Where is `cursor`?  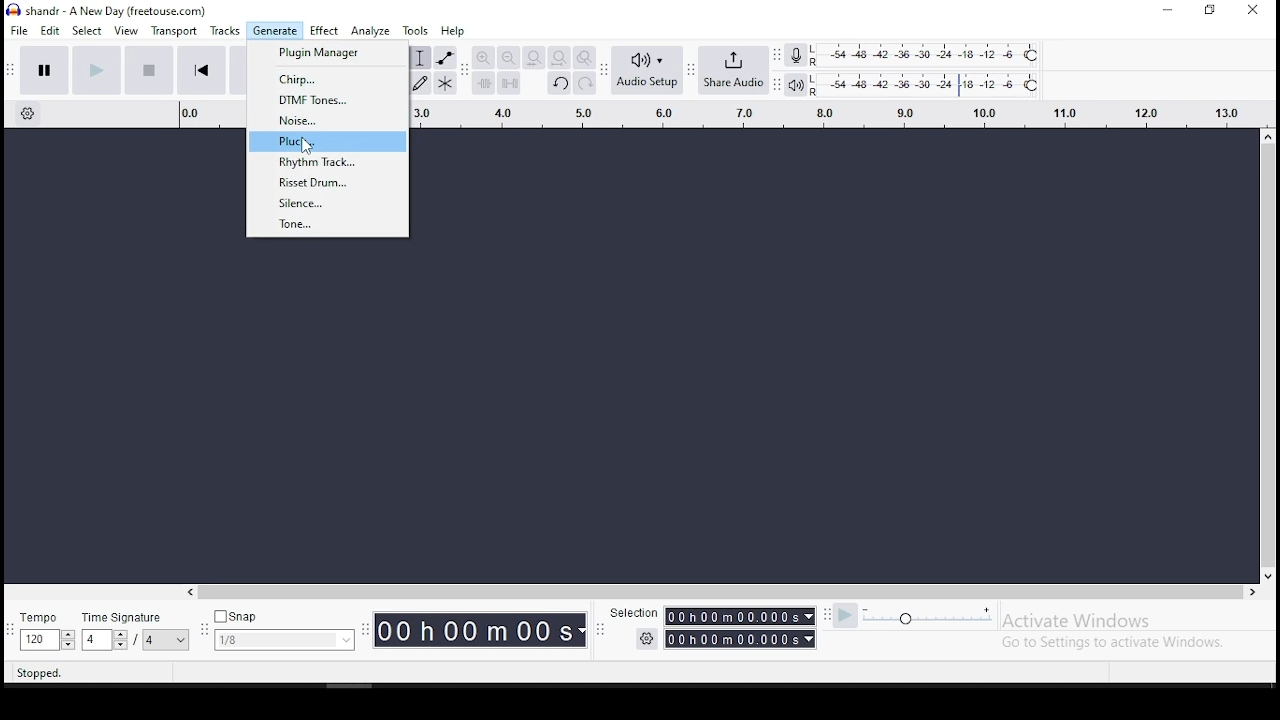 cursor is located at coordinates (306, 147).